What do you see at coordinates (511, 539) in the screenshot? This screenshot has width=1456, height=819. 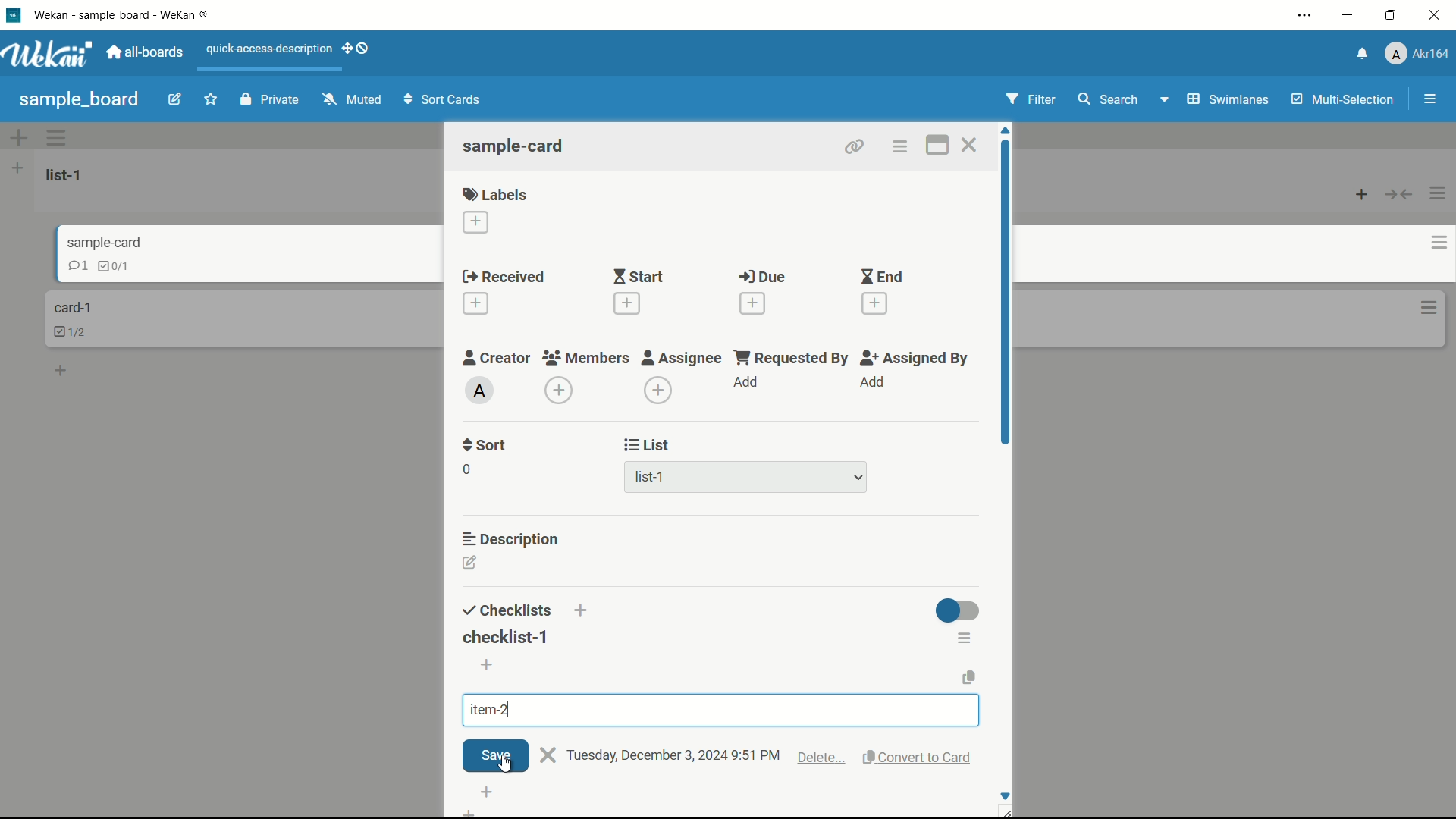 I see `description` at bounding box center [511, 539].